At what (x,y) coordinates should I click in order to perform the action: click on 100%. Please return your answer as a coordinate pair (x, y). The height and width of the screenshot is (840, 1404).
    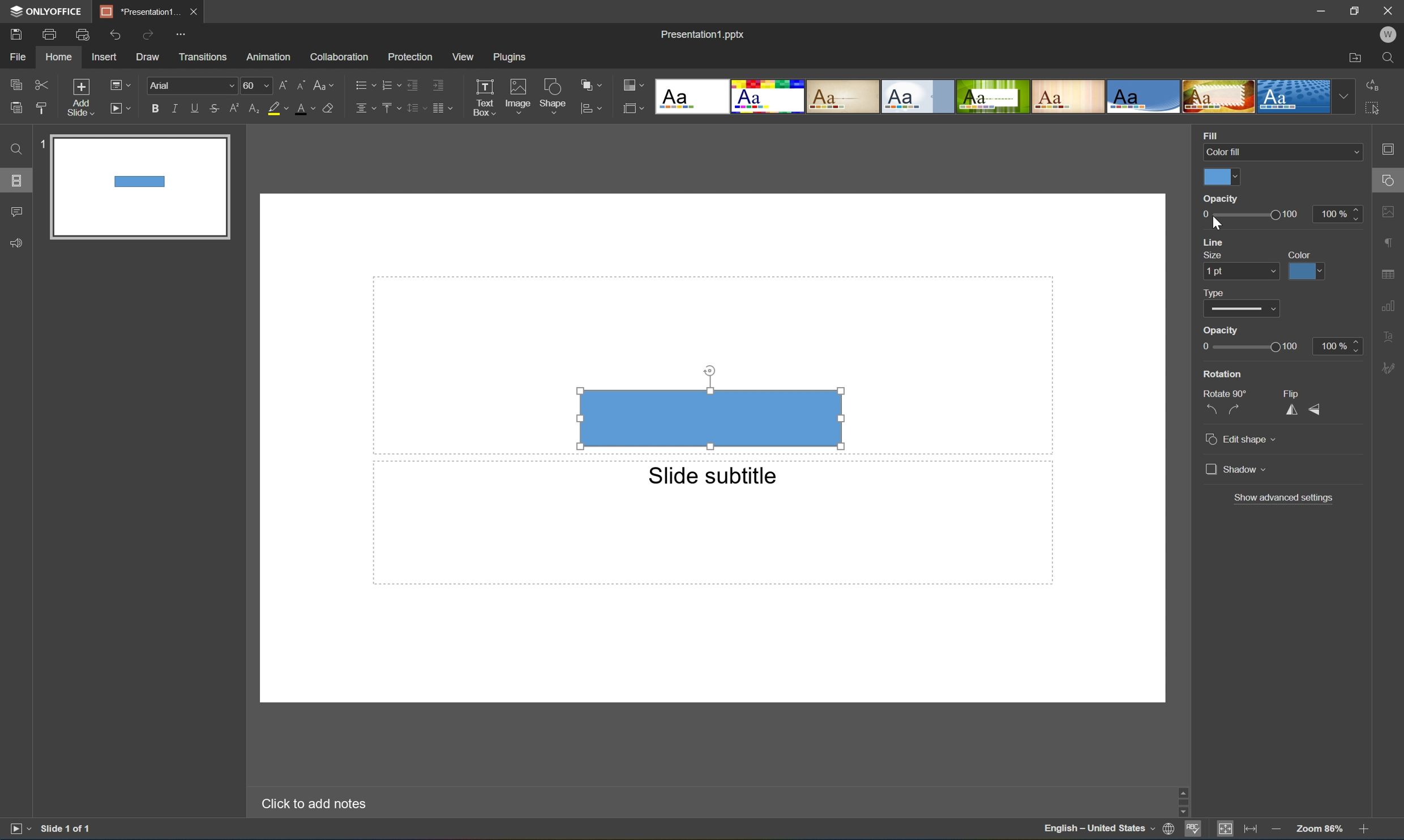
    Looking at the image, I should click on (1340, 345).